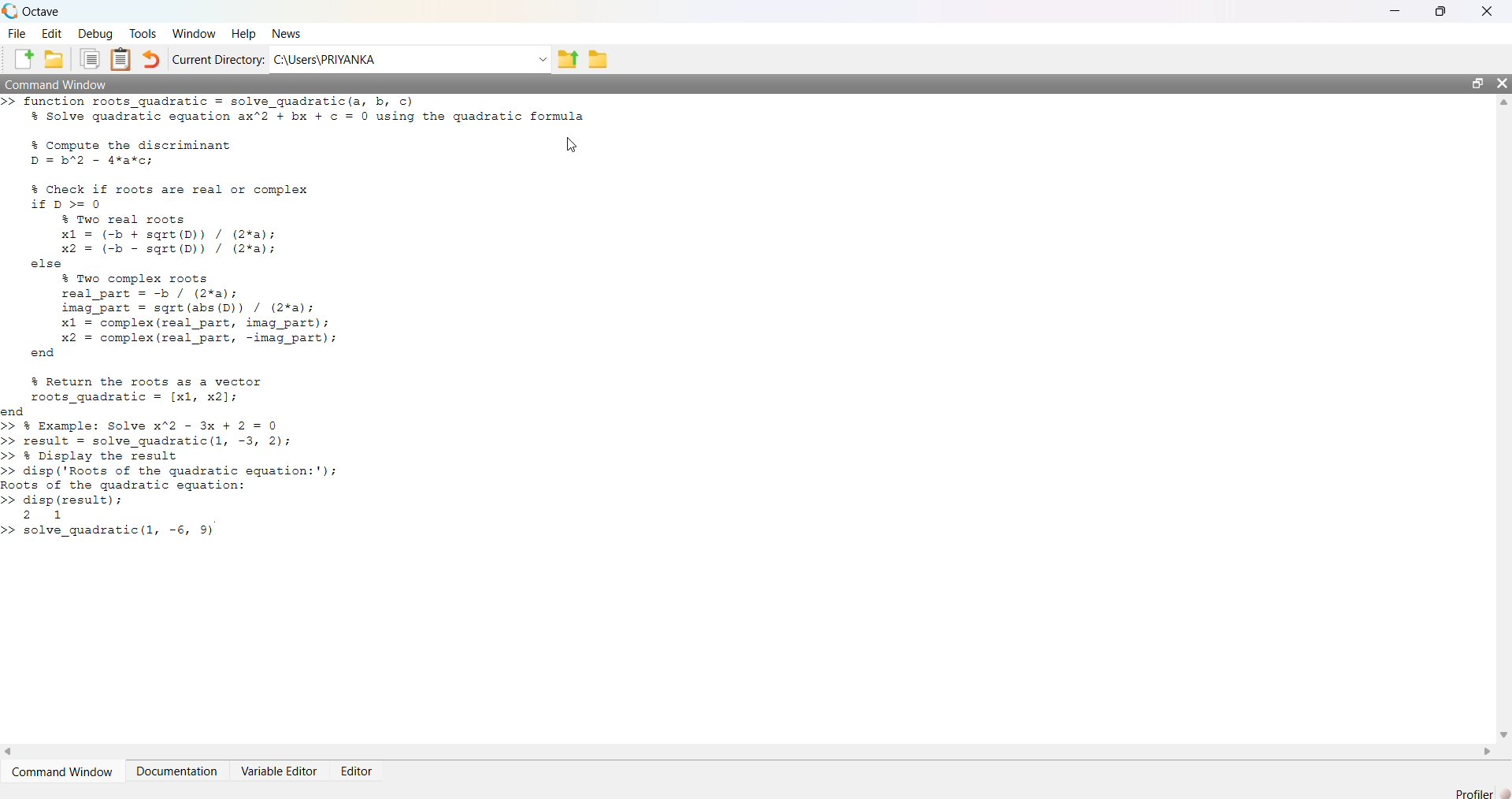 The width and height of the screenshot is (1512, 799). Describe the element at coordinates (1487, 11) in the screenshot. I see `Close` at that location.